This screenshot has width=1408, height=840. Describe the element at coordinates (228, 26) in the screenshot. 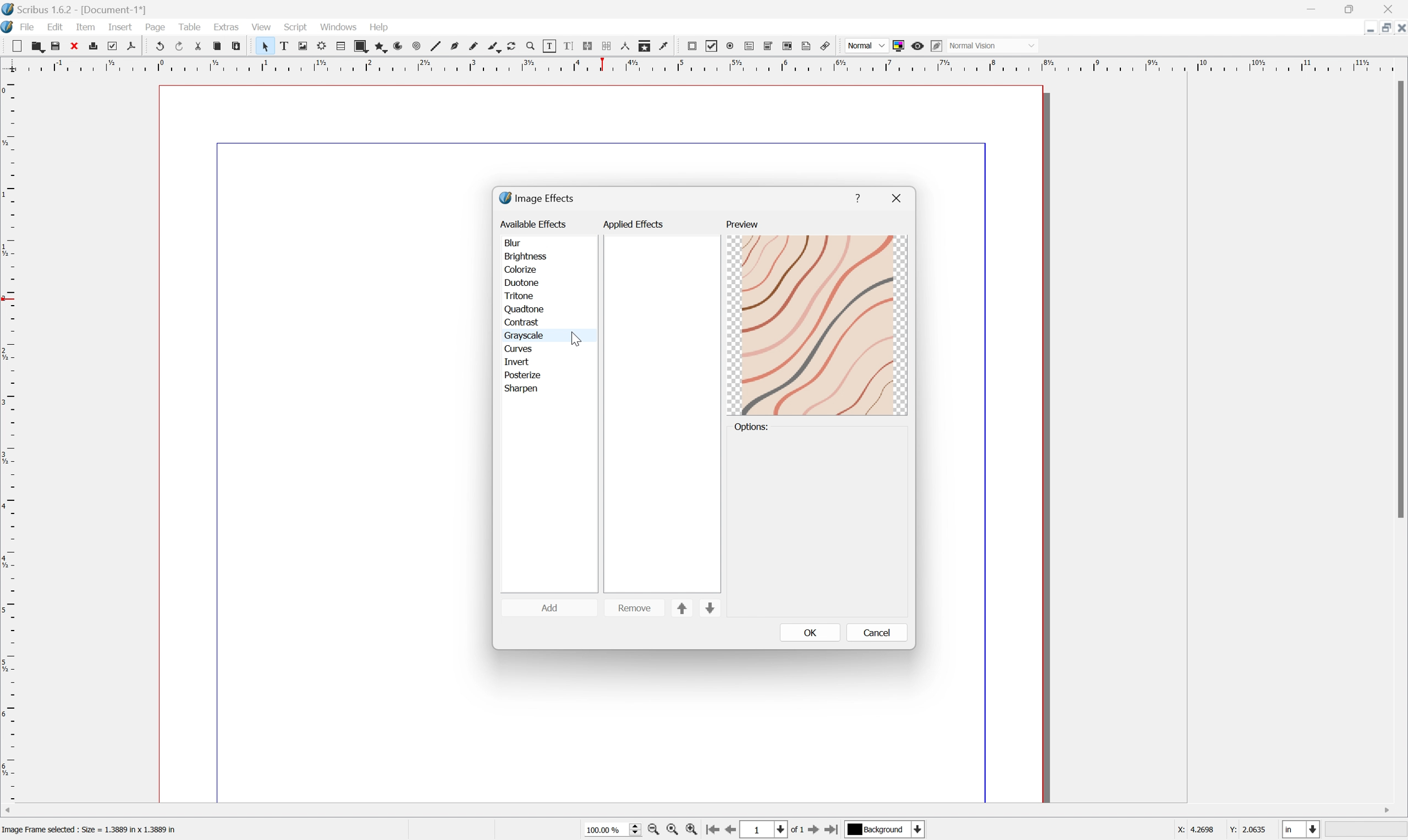

I see `Extras` at that location.